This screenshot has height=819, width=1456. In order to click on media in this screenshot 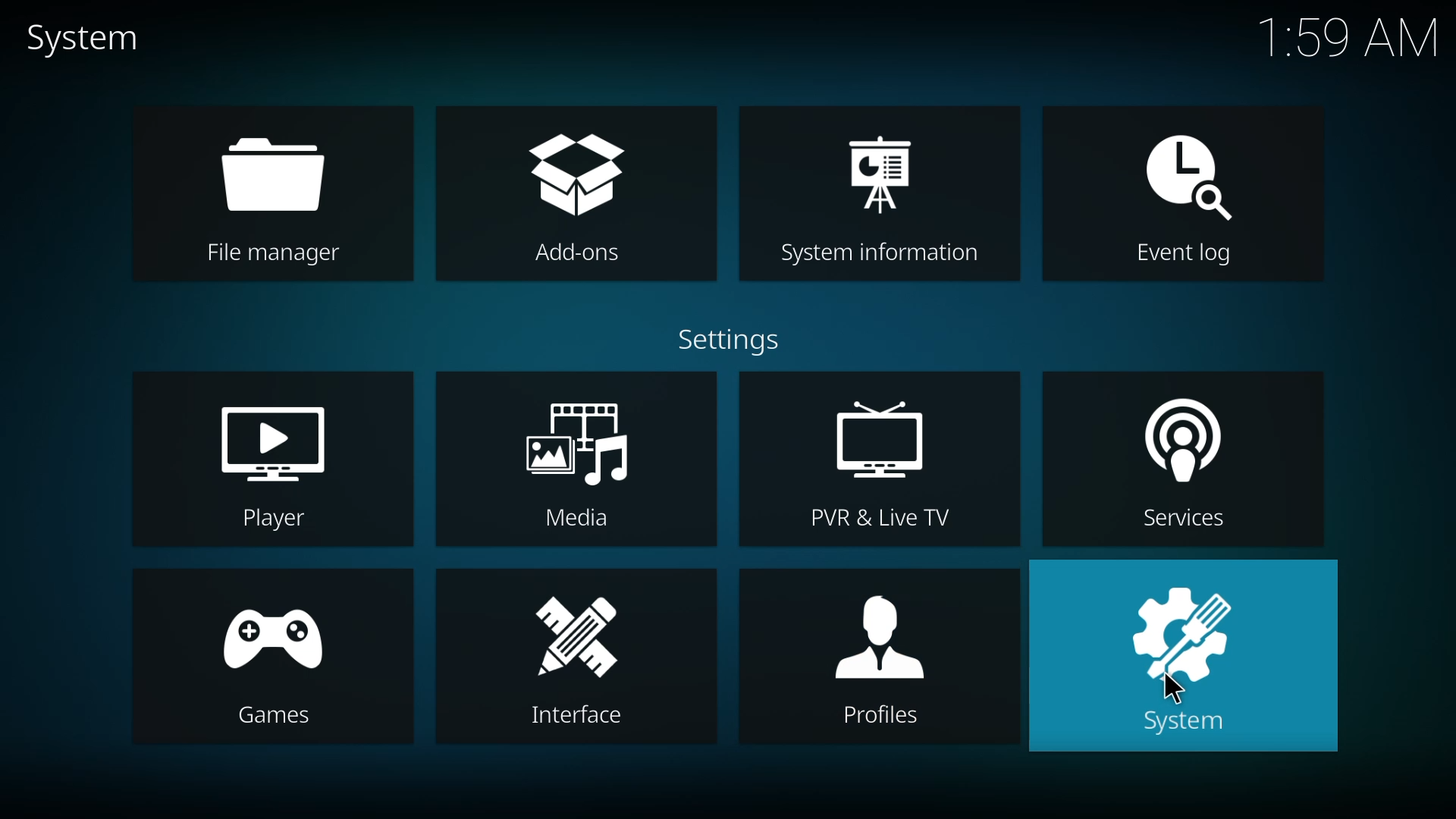, I will do `click(585, 460)`.